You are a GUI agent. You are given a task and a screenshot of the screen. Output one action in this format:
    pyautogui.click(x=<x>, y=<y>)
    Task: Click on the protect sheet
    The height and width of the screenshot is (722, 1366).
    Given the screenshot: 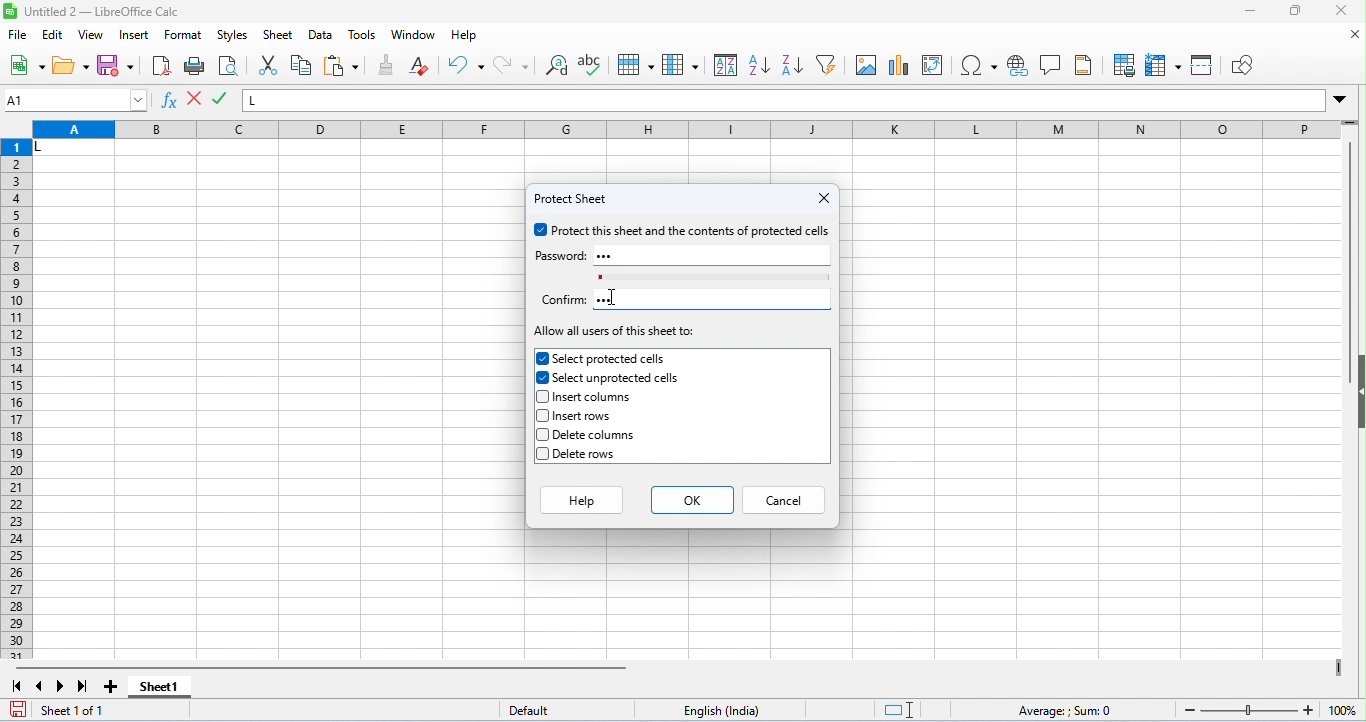 What is the action you would take?
    pyautogui.click(x=575, y=199)
    